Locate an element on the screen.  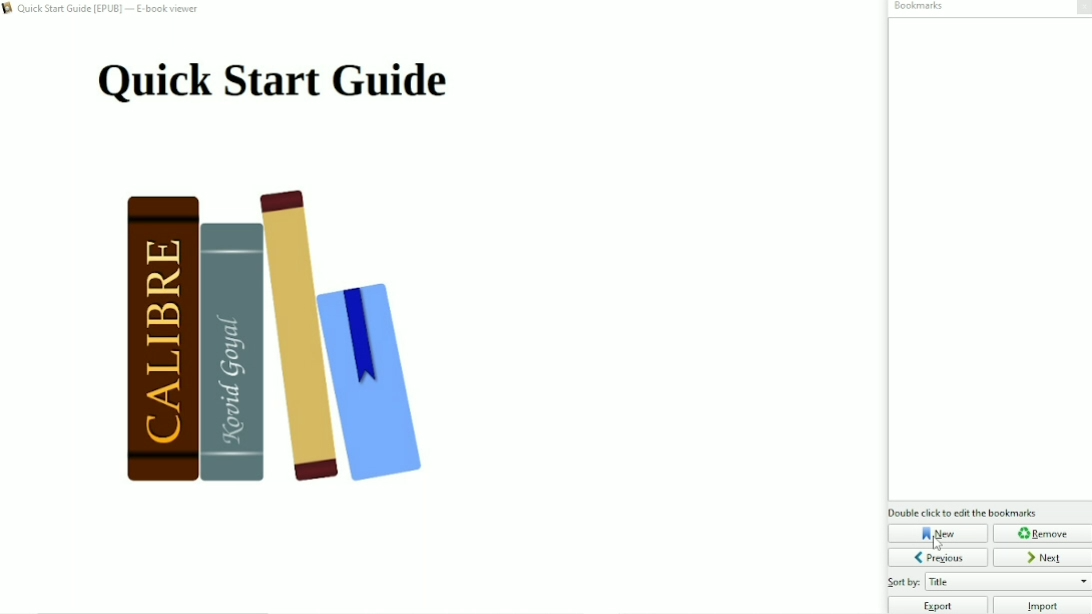
Remove is located at coordinates (1042, 533).